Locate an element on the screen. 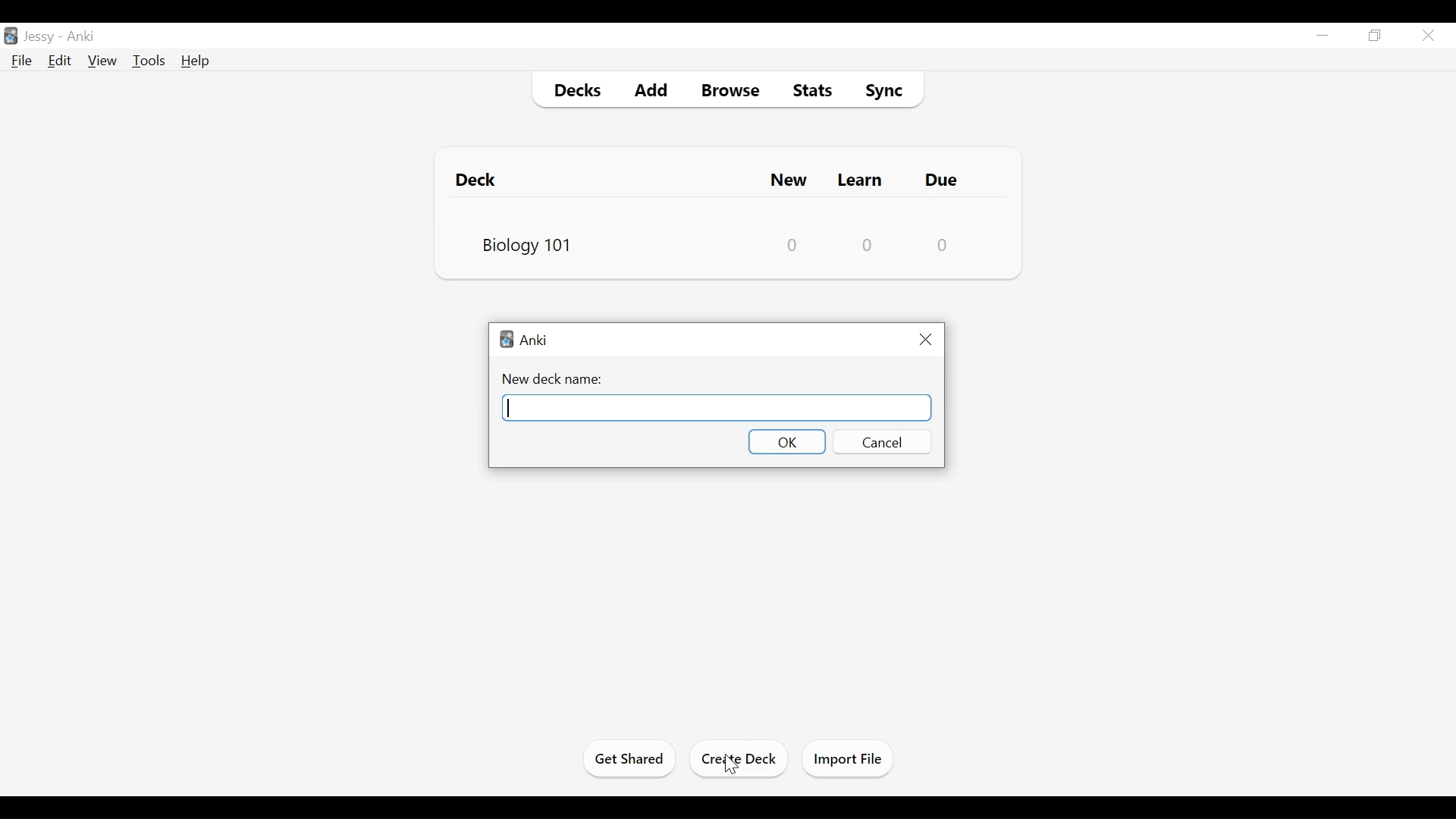  Learn Card Count is located at coordinates (868, 243).